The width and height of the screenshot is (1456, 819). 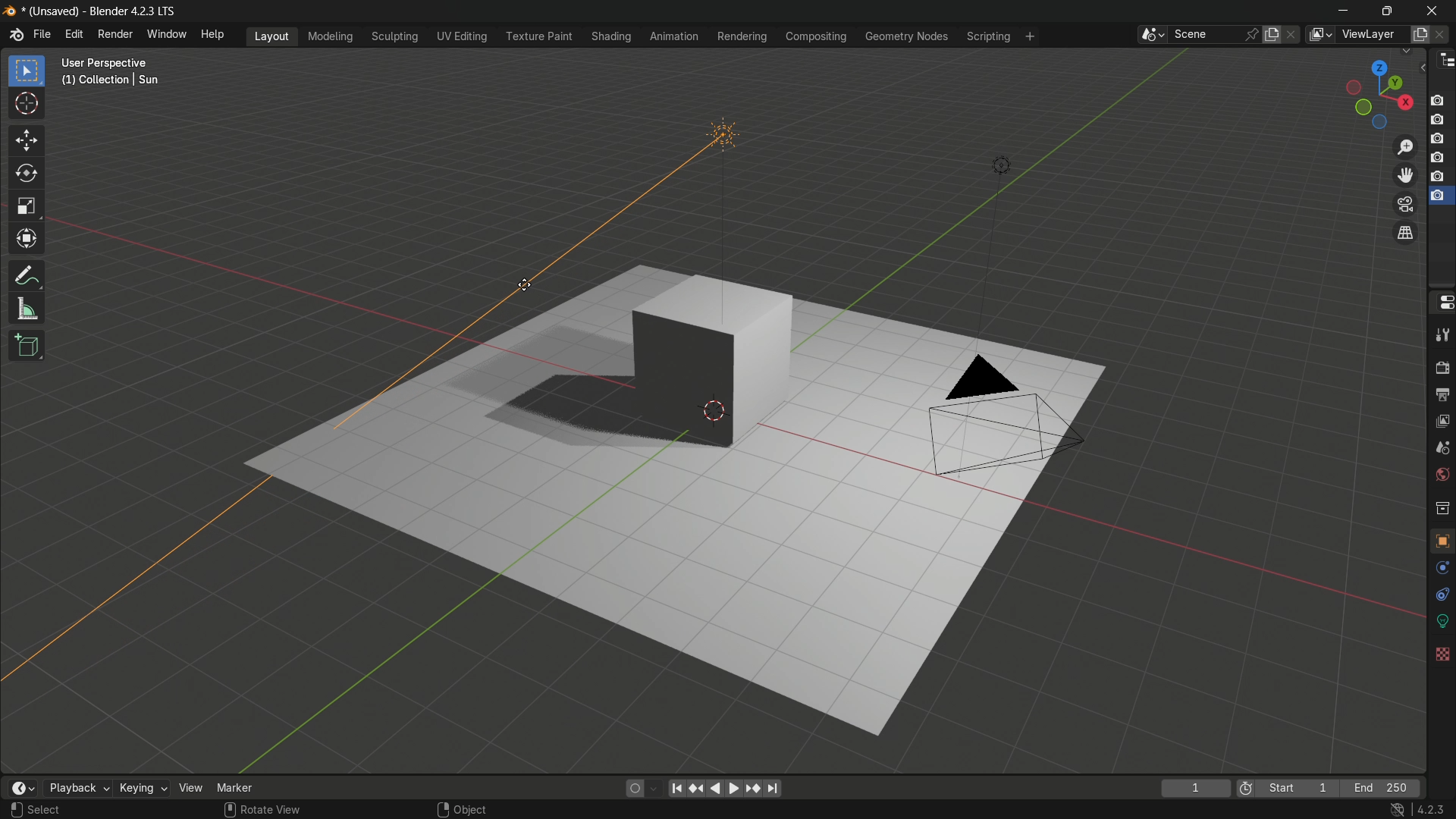 I want to click on textures, so click(x=1441, y=653).